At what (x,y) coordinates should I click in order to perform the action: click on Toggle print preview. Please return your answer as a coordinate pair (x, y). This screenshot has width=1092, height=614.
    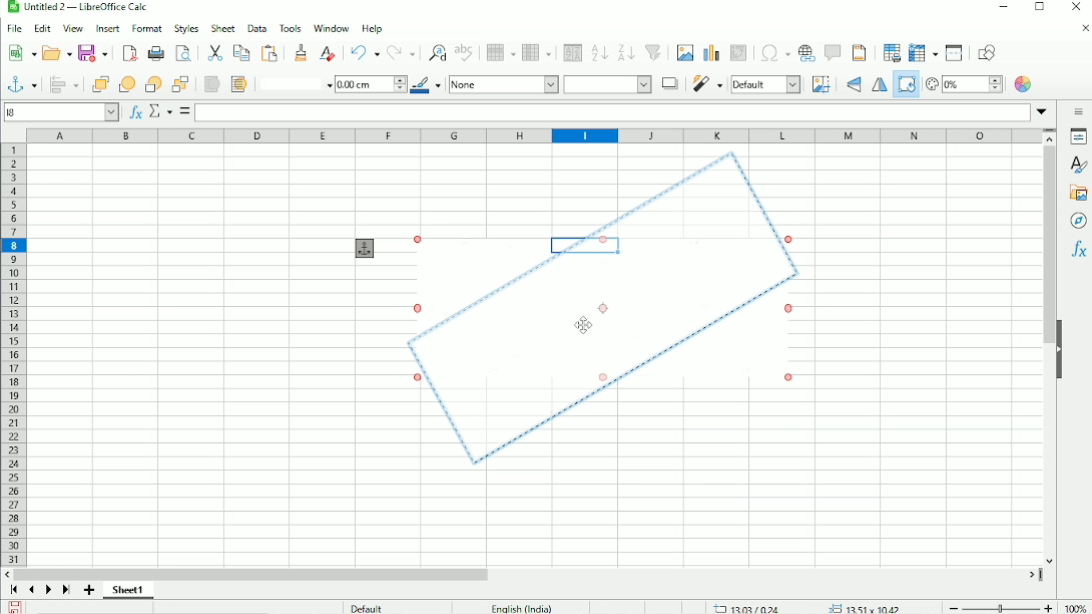
    Looking at the image, I should click on (183, 53).